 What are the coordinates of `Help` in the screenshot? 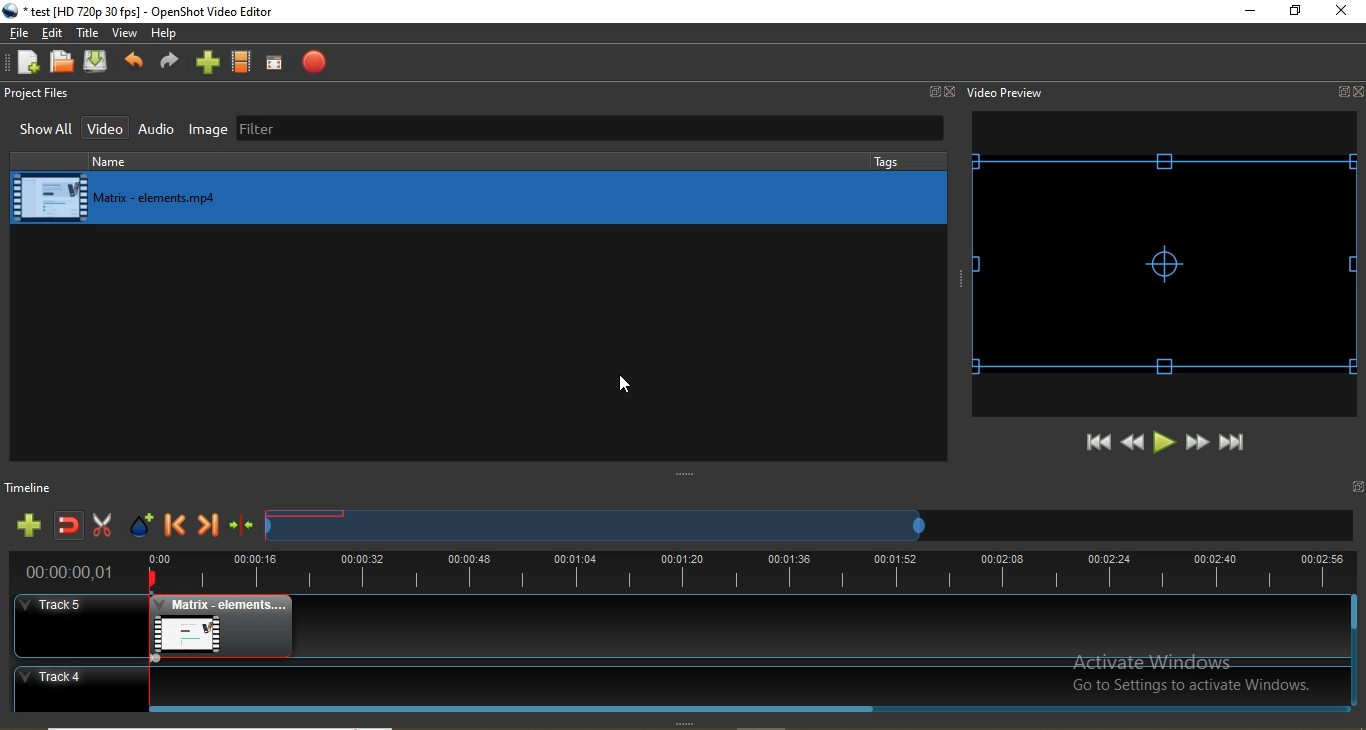 It's located at (167, 35).